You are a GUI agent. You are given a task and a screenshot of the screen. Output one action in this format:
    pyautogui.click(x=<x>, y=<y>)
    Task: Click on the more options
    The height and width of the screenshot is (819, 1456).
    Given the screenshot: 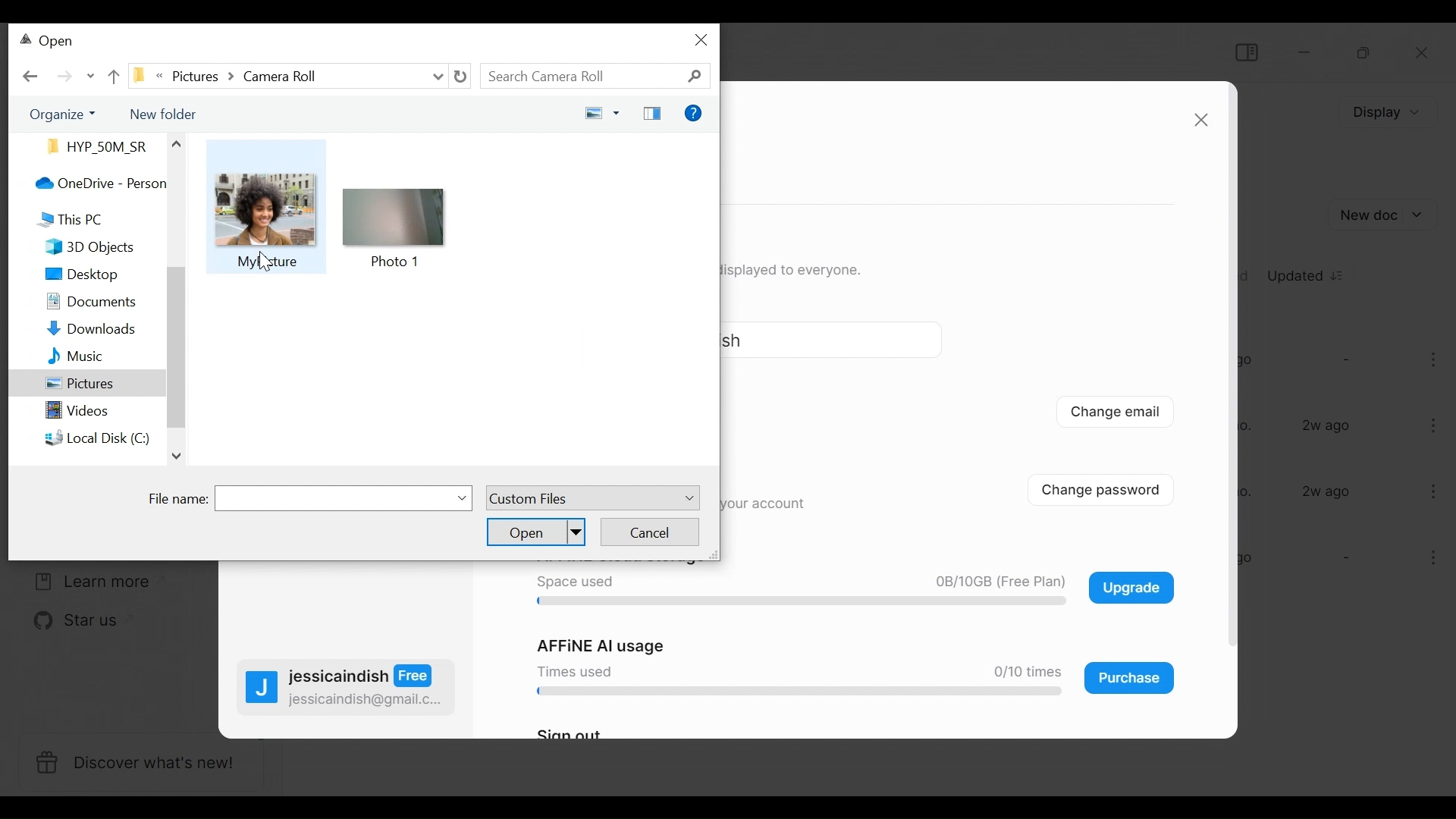 What is the action you would take?
    pyautogui.click(x=1435, y=424)
    